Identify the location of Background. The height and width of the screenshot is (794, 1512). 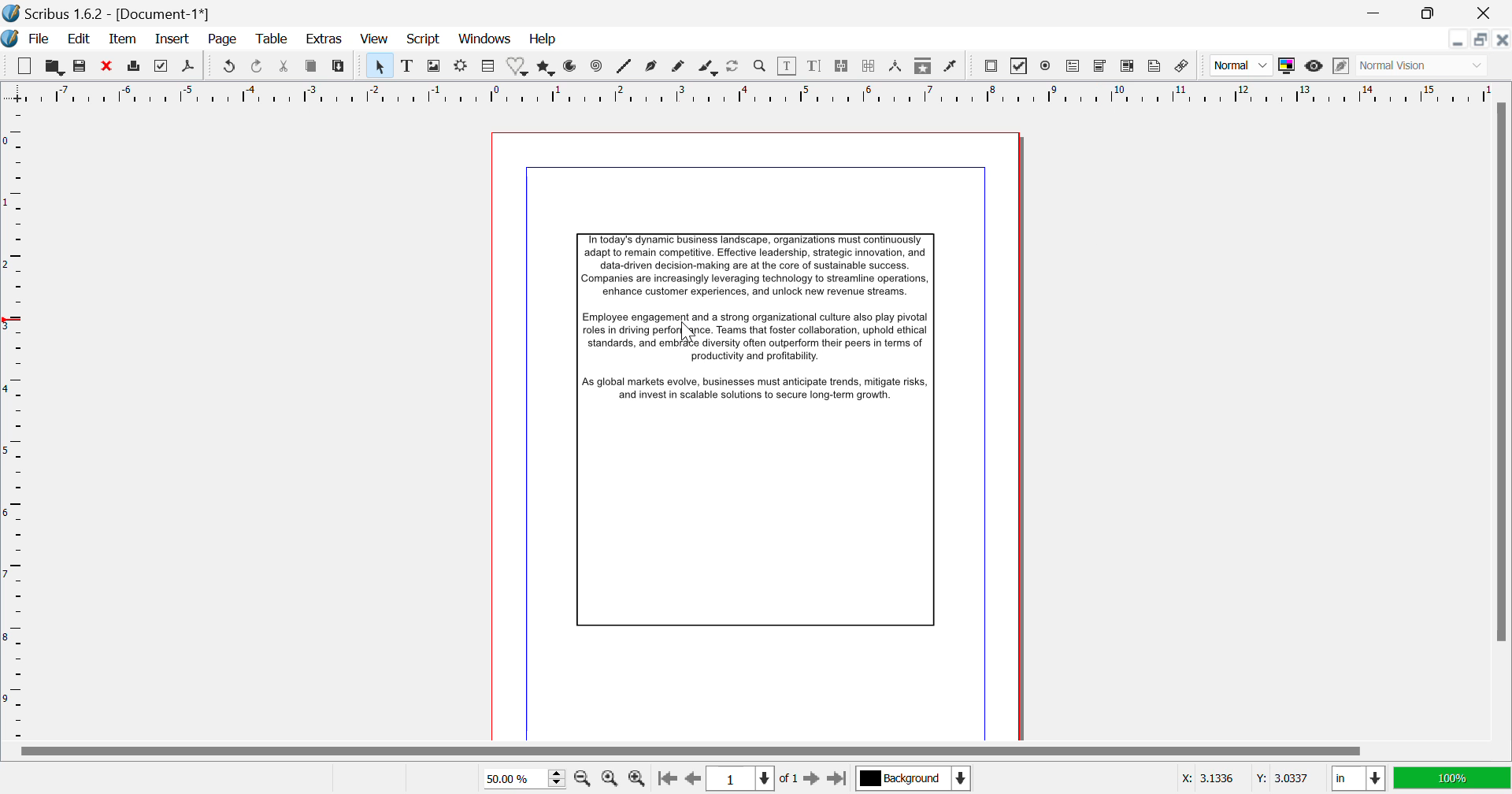
(912, 777).